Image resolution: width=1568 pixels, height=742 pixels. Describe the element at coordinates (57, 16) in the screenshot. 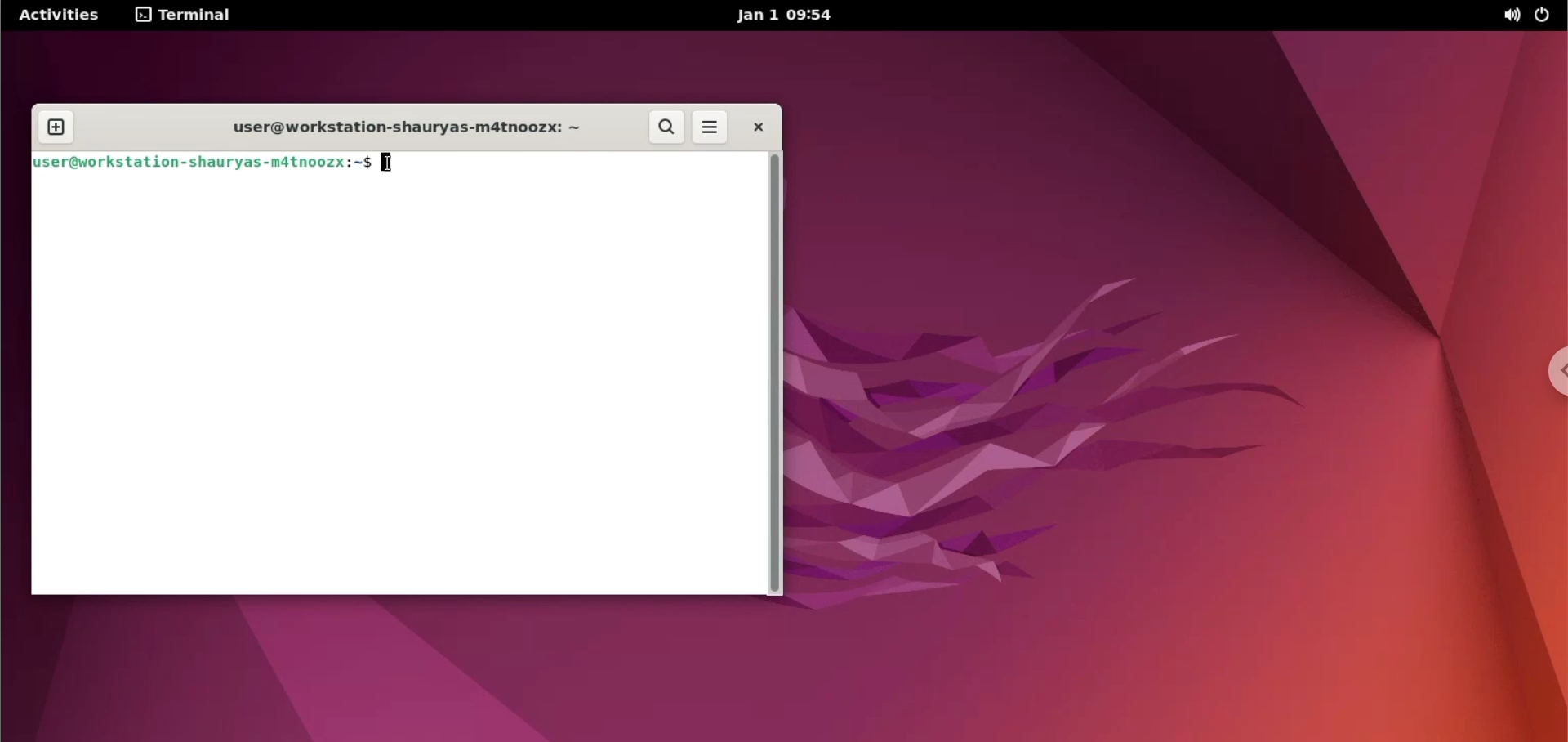

I see `Activities` at that location.